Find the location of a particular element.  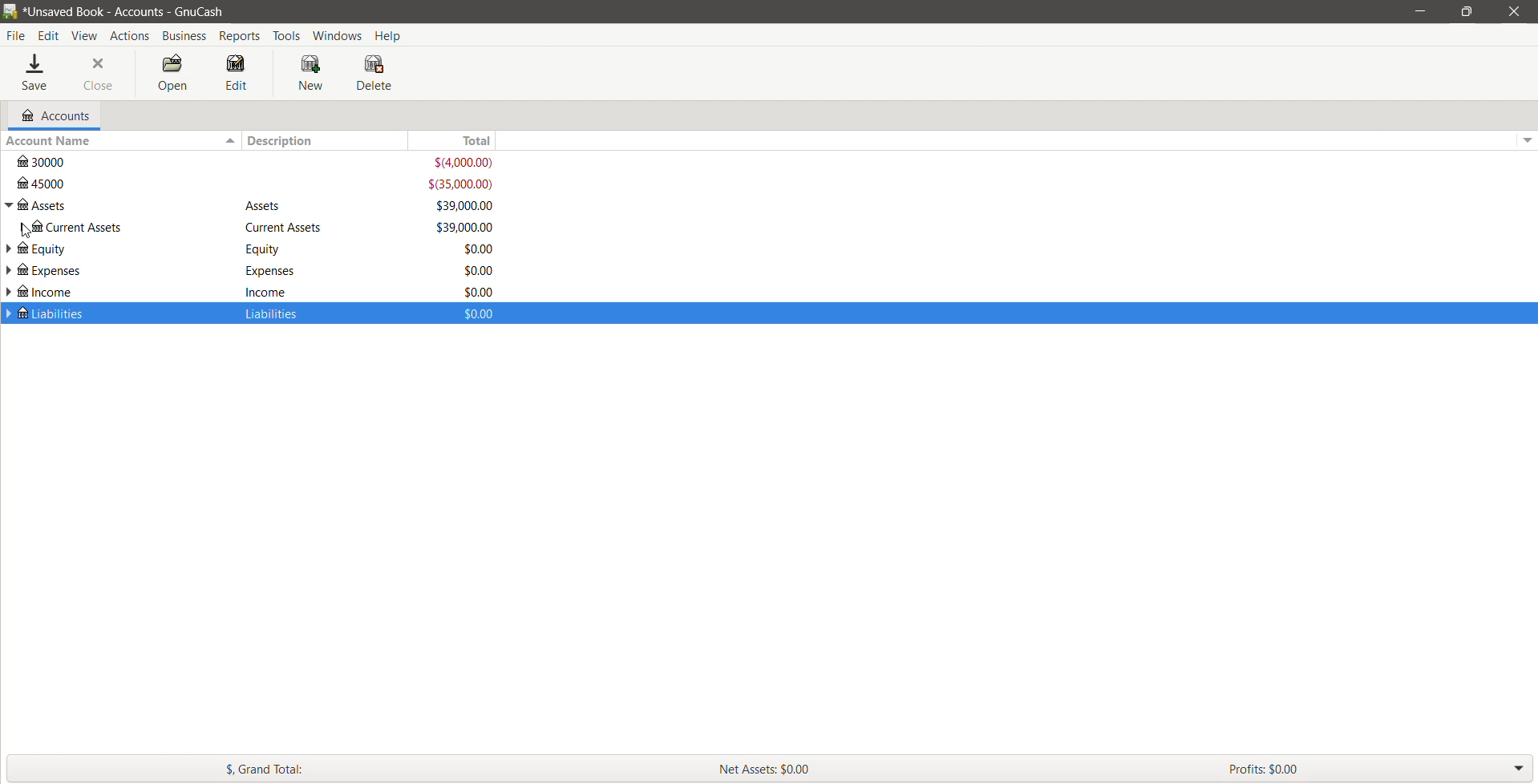

45000 is located at coordinates (121, 182).